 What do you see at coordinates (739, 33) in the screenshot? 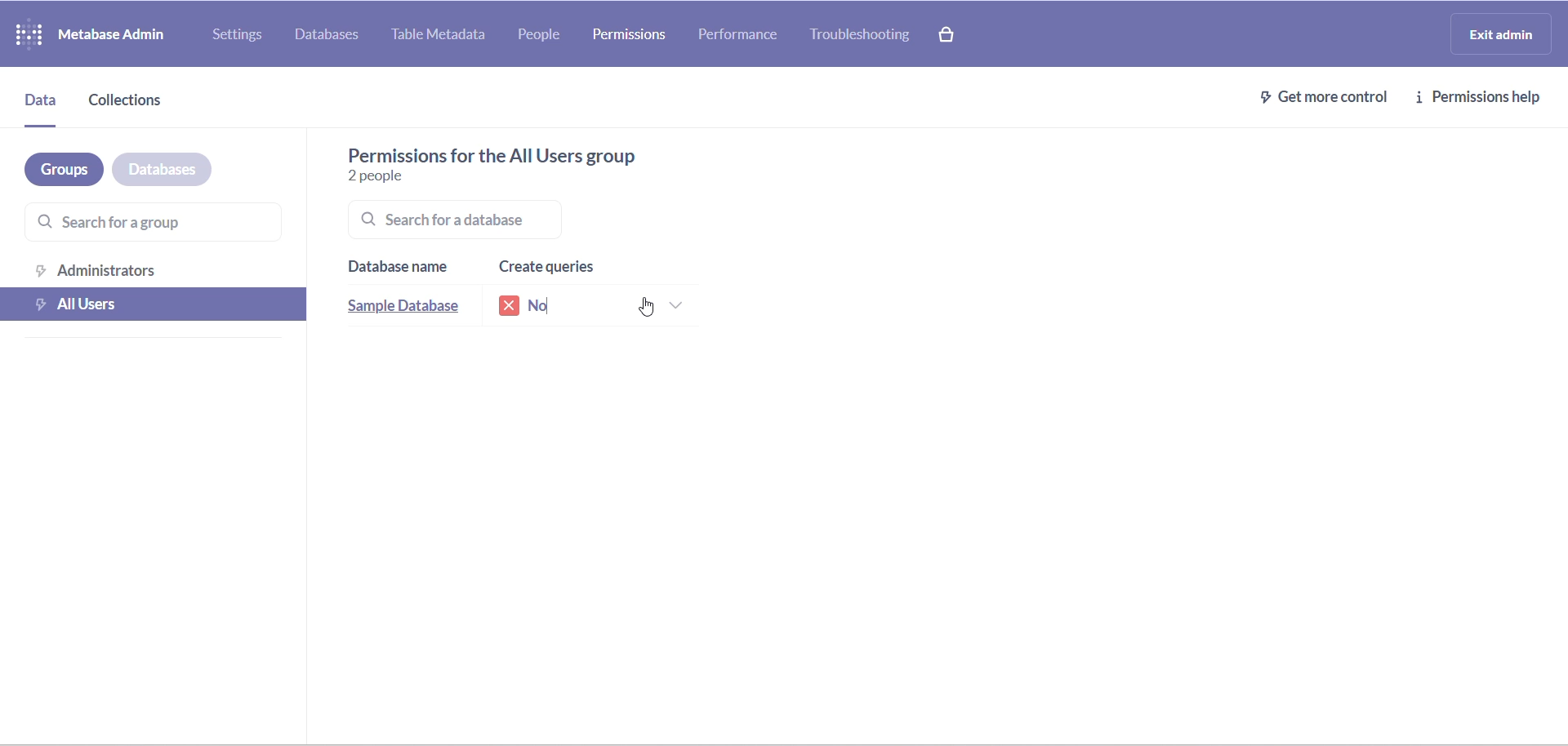
I see `performance` at bounding box center [739, 33].